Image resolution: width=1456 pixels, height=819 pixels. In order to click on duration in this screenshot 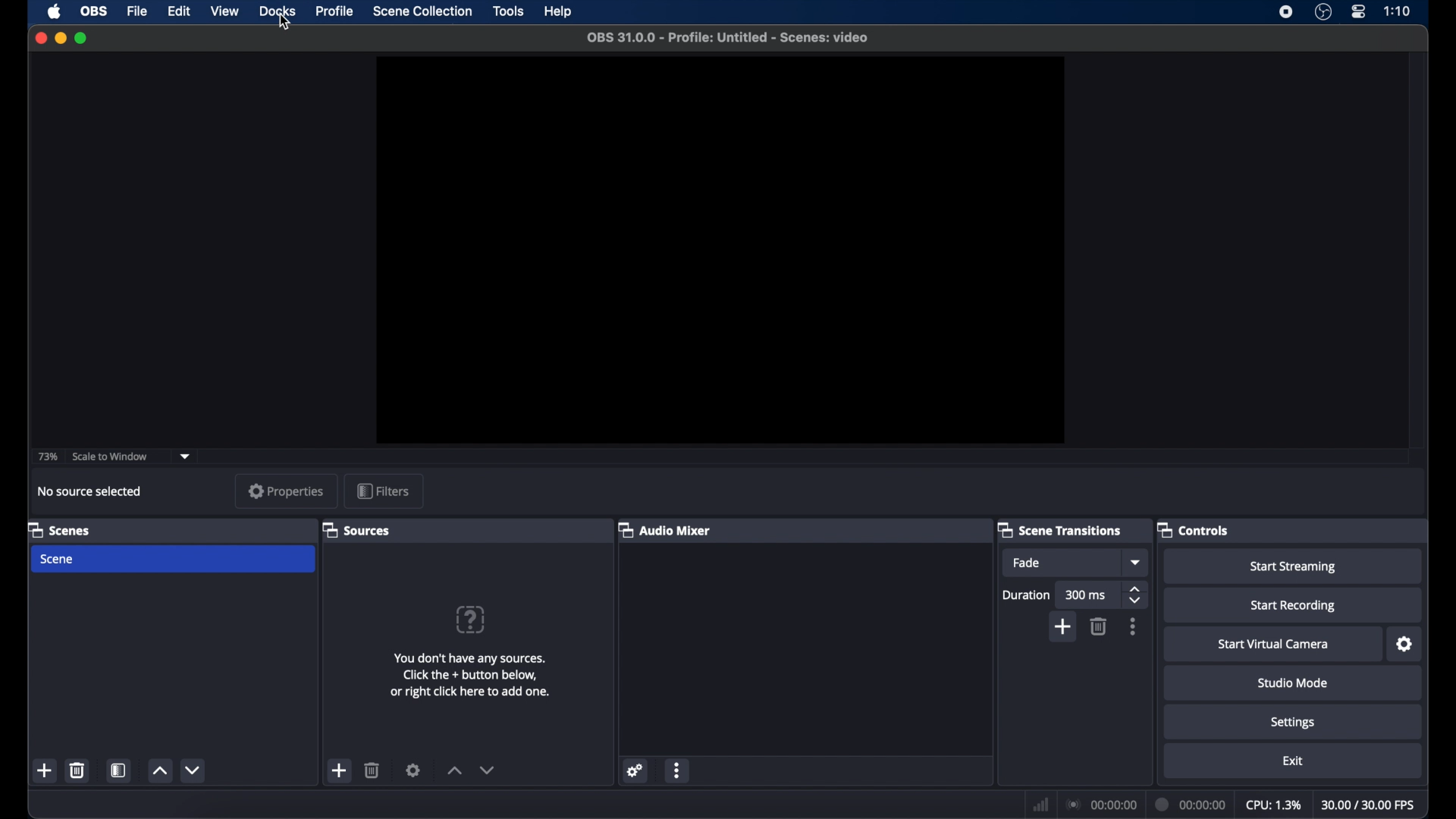, I will do `click(1191, 804)`.